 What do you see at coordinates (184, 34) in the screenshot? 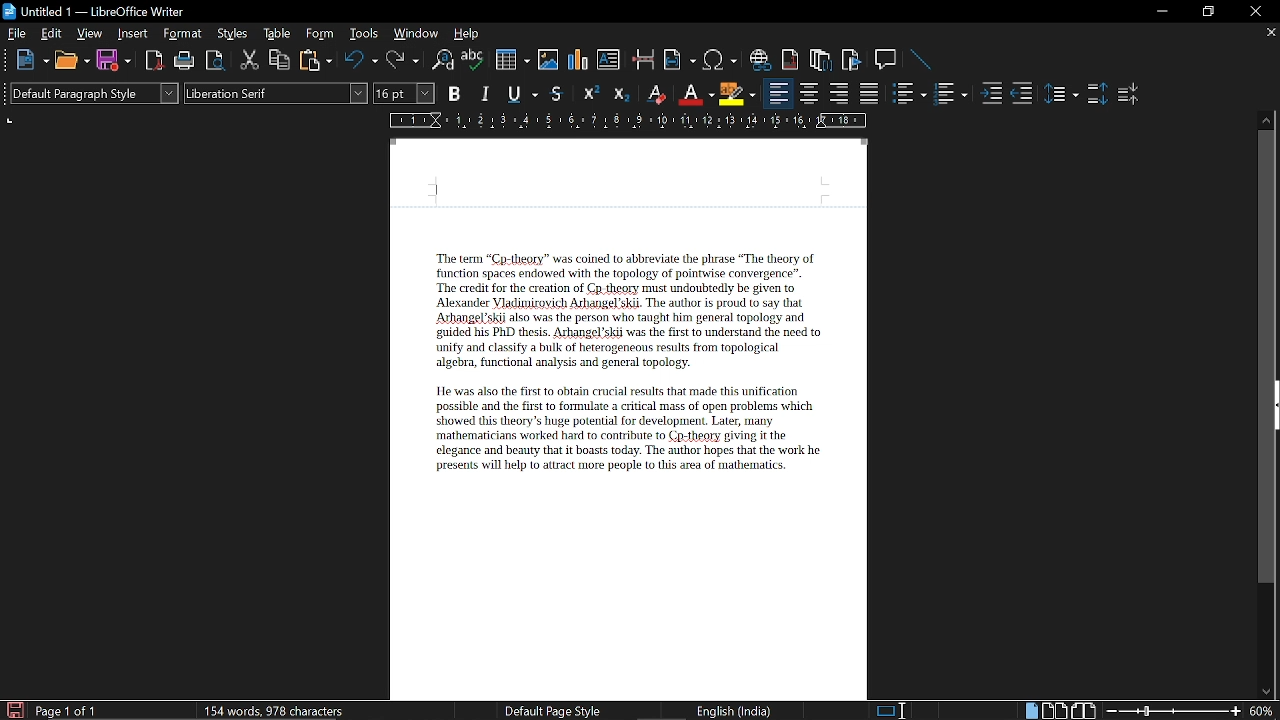
I see `Format` at bounding box center [184, 34].